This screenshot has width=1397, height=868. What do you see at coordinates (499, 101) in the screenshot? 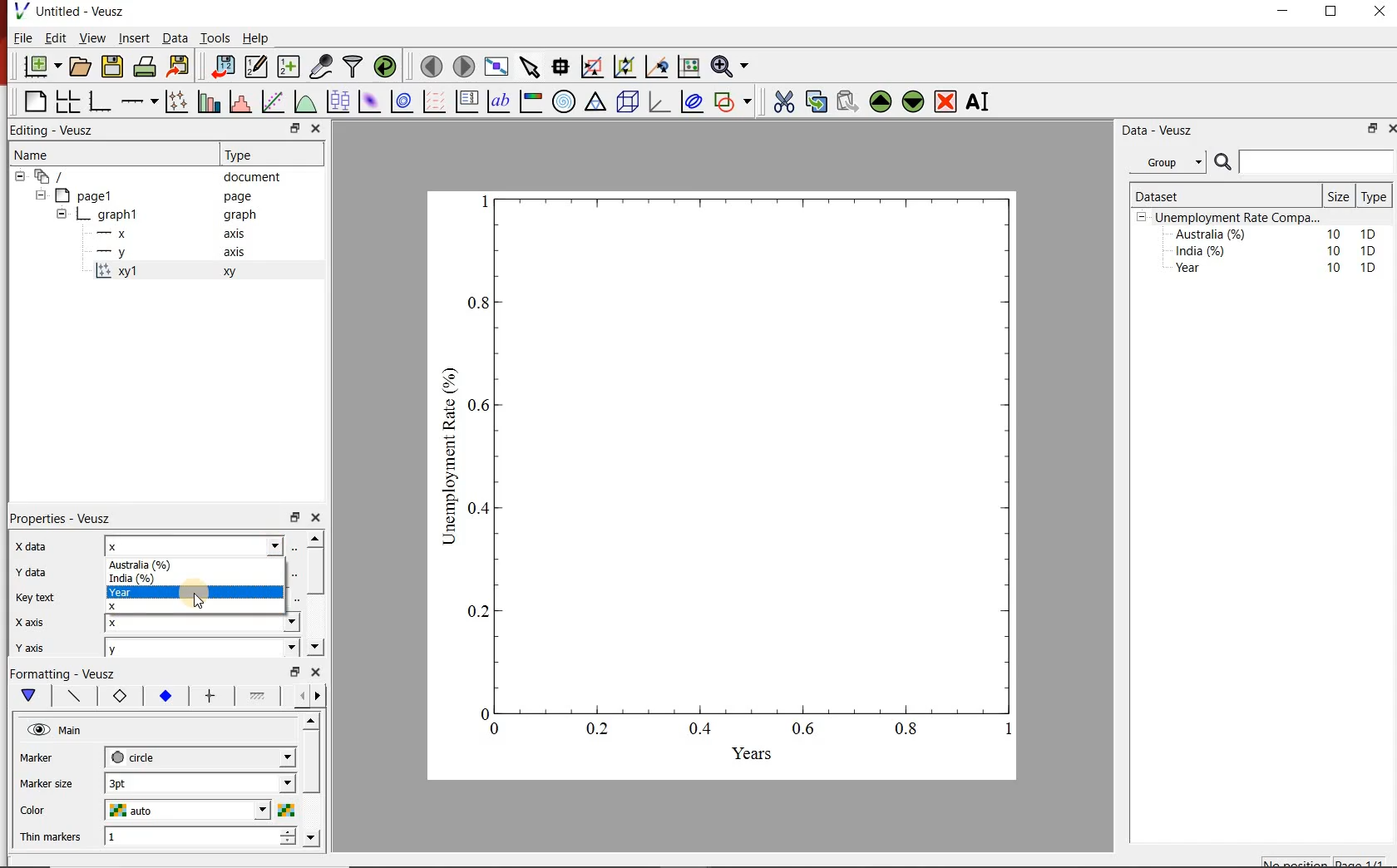
I see `text label` at bounding box center [499, 101].